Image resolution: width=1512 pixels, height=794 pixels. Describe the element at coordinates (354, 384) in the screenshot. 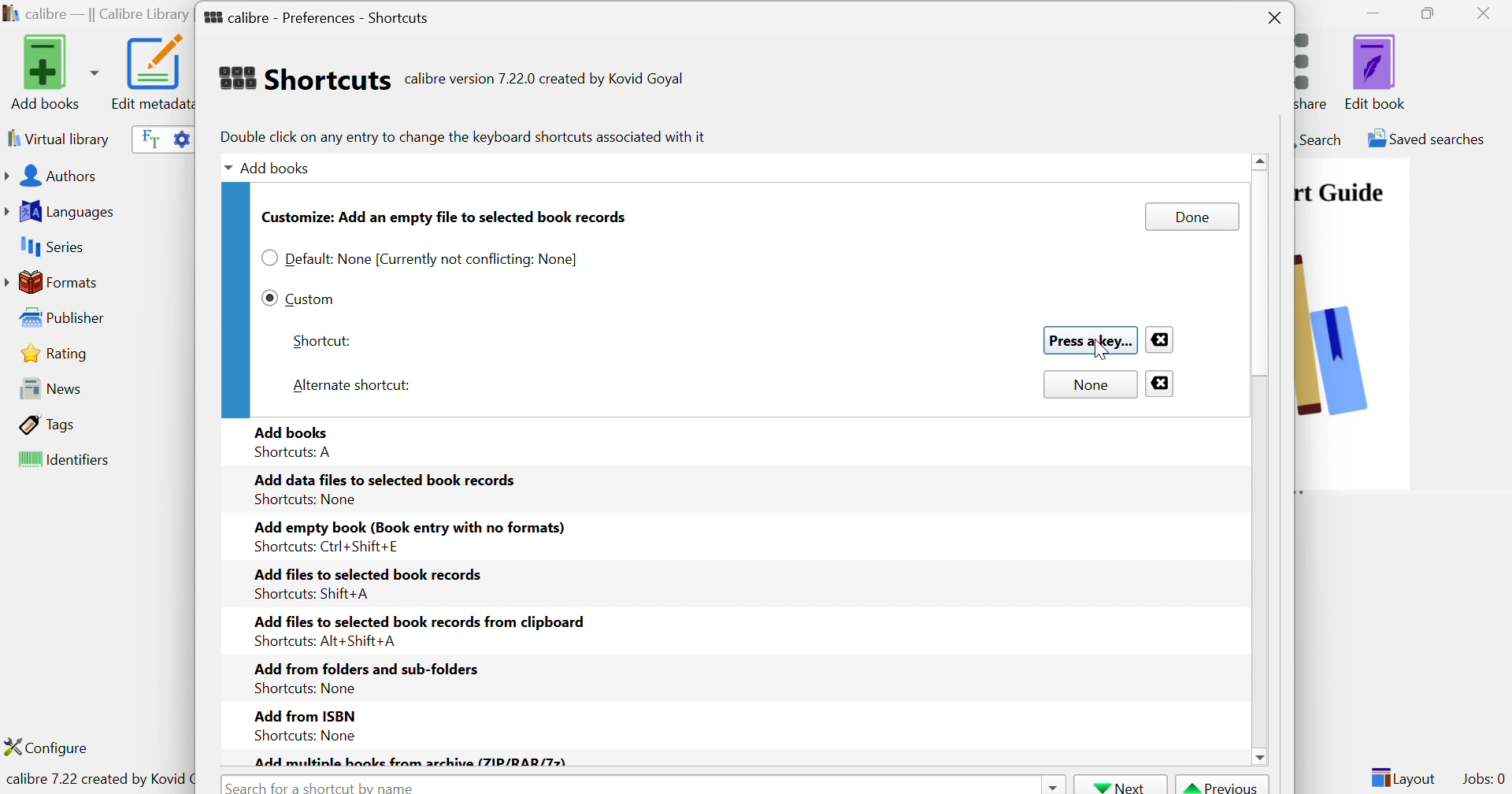

I see `Alternate shortcut` at that location.